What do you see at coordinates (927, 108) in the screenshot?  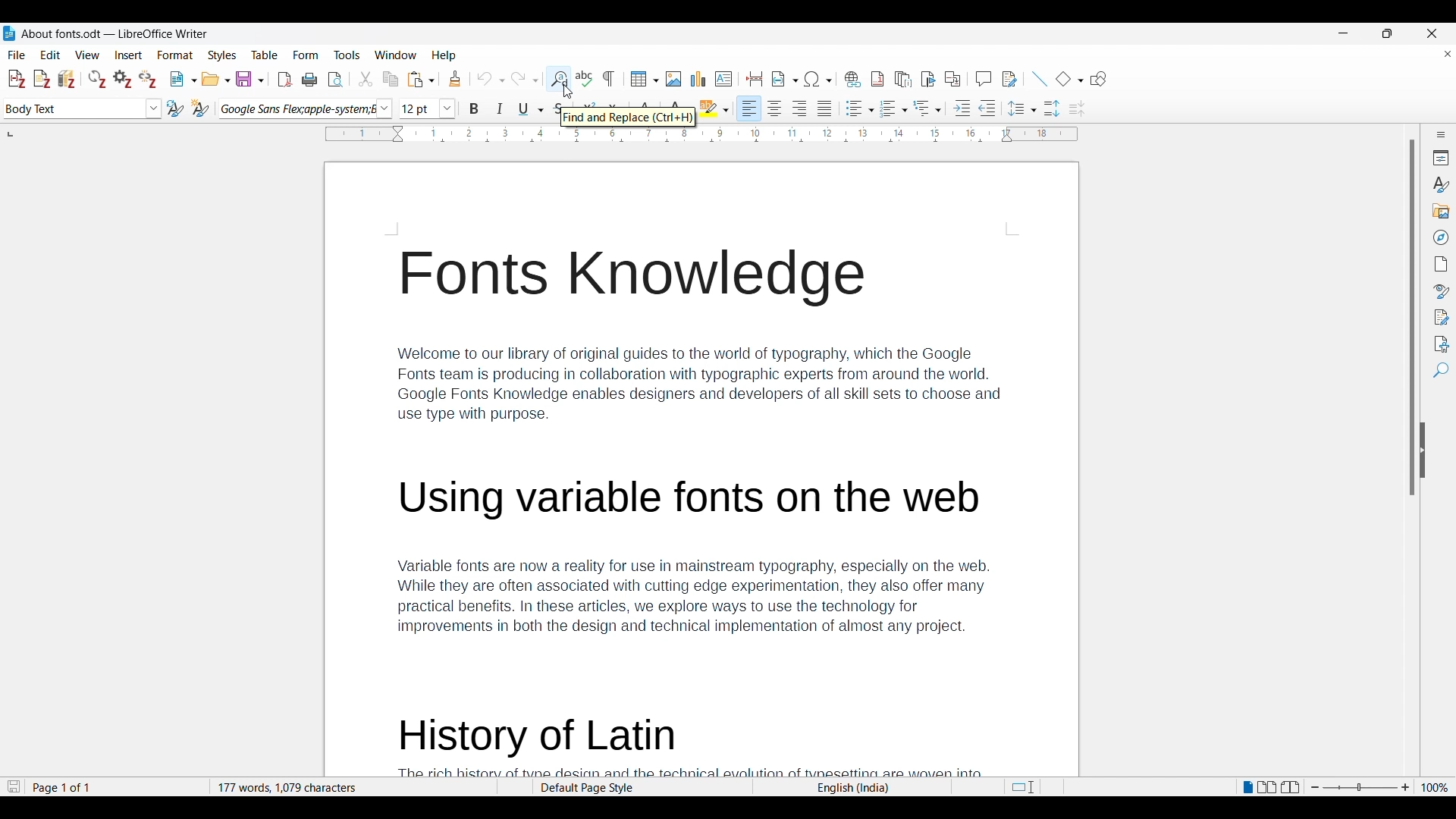 I see `Select outline format options` at bounding box center [927, 108].